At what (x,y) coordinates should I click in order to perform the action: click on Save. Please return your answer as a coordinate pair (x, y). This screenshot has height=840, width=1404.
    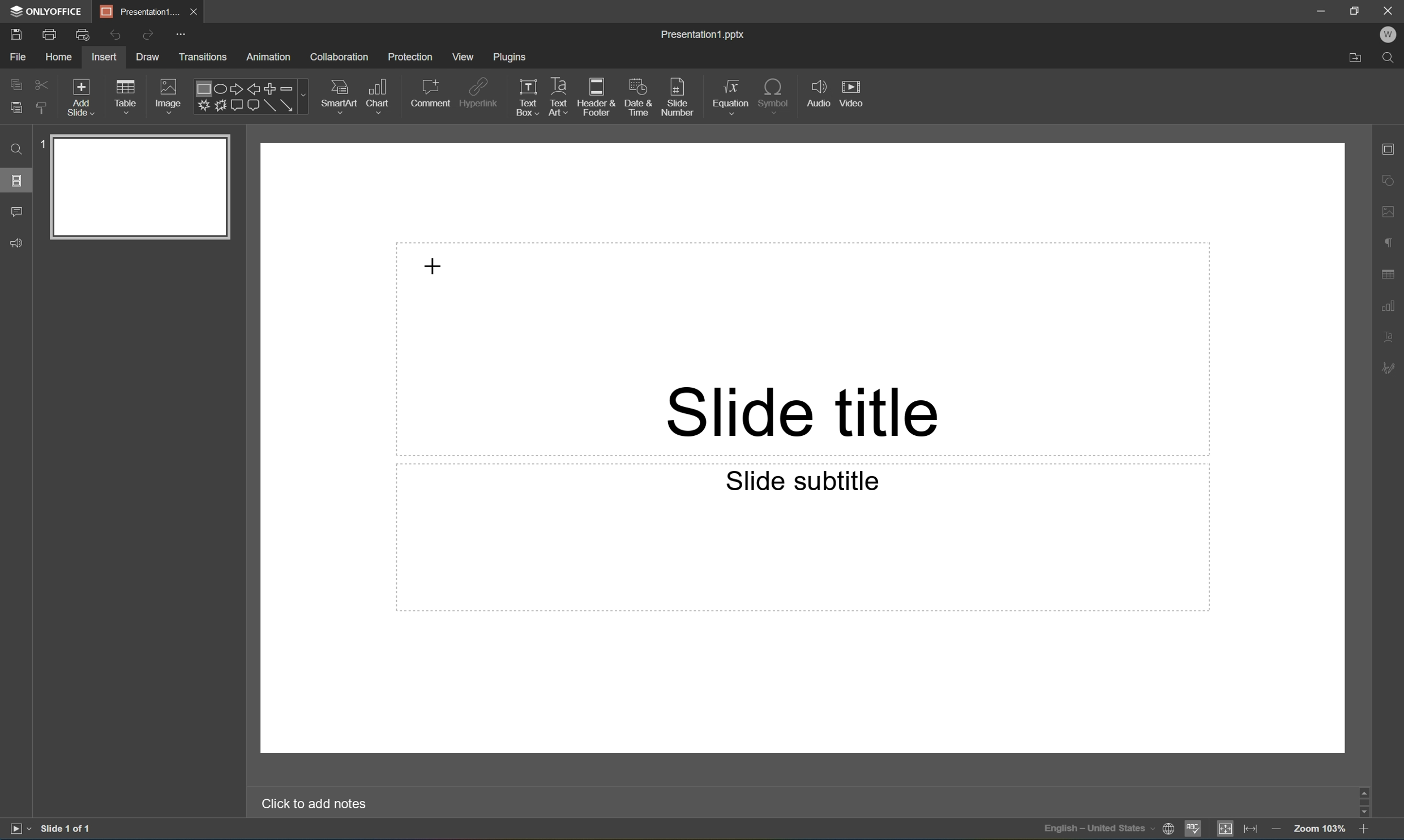
    Looking at the image, I should click on (15, 33).